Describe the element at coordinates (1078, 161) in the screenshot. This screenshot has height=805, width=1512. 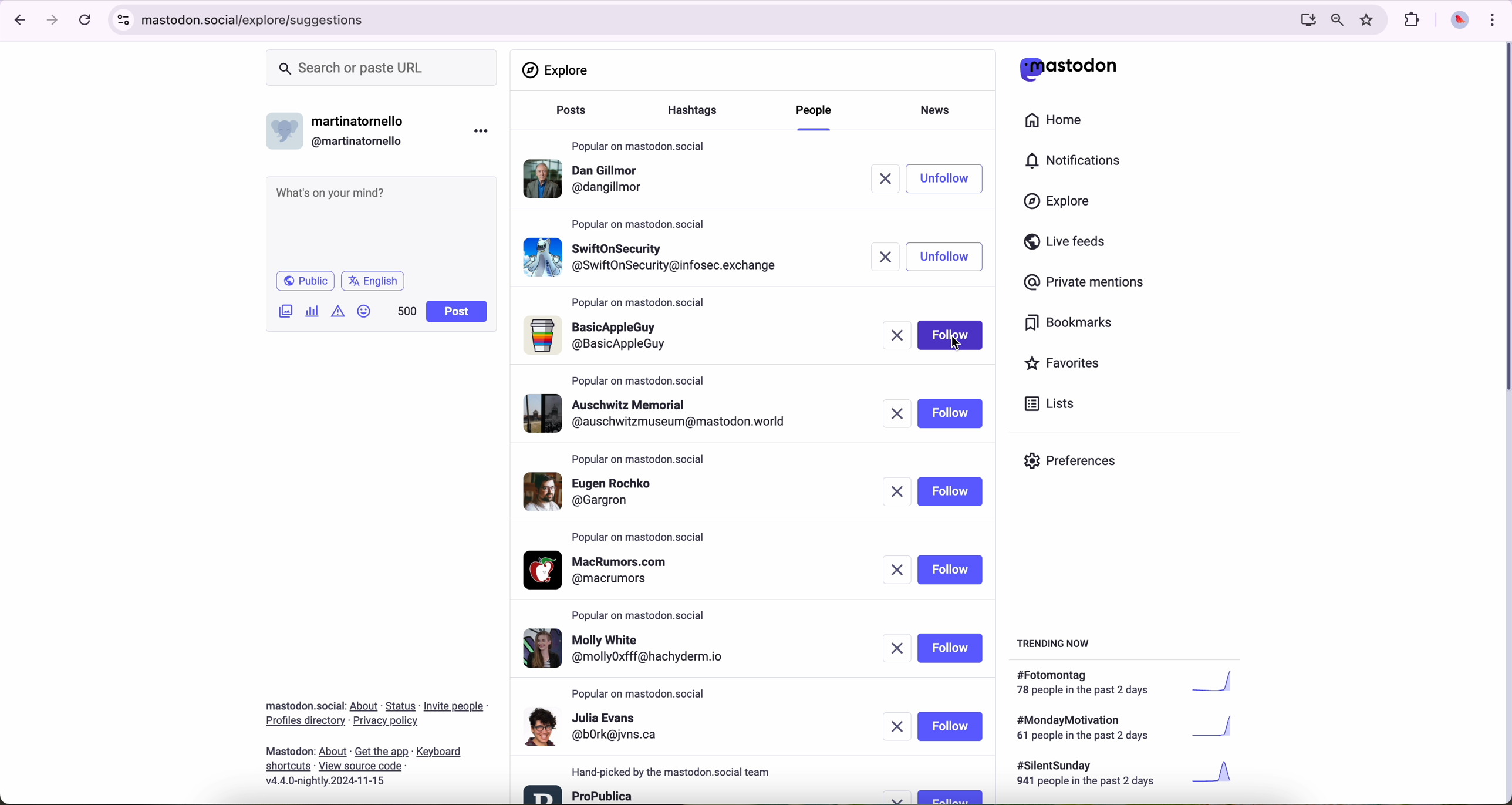
I see `notifications` at that location.